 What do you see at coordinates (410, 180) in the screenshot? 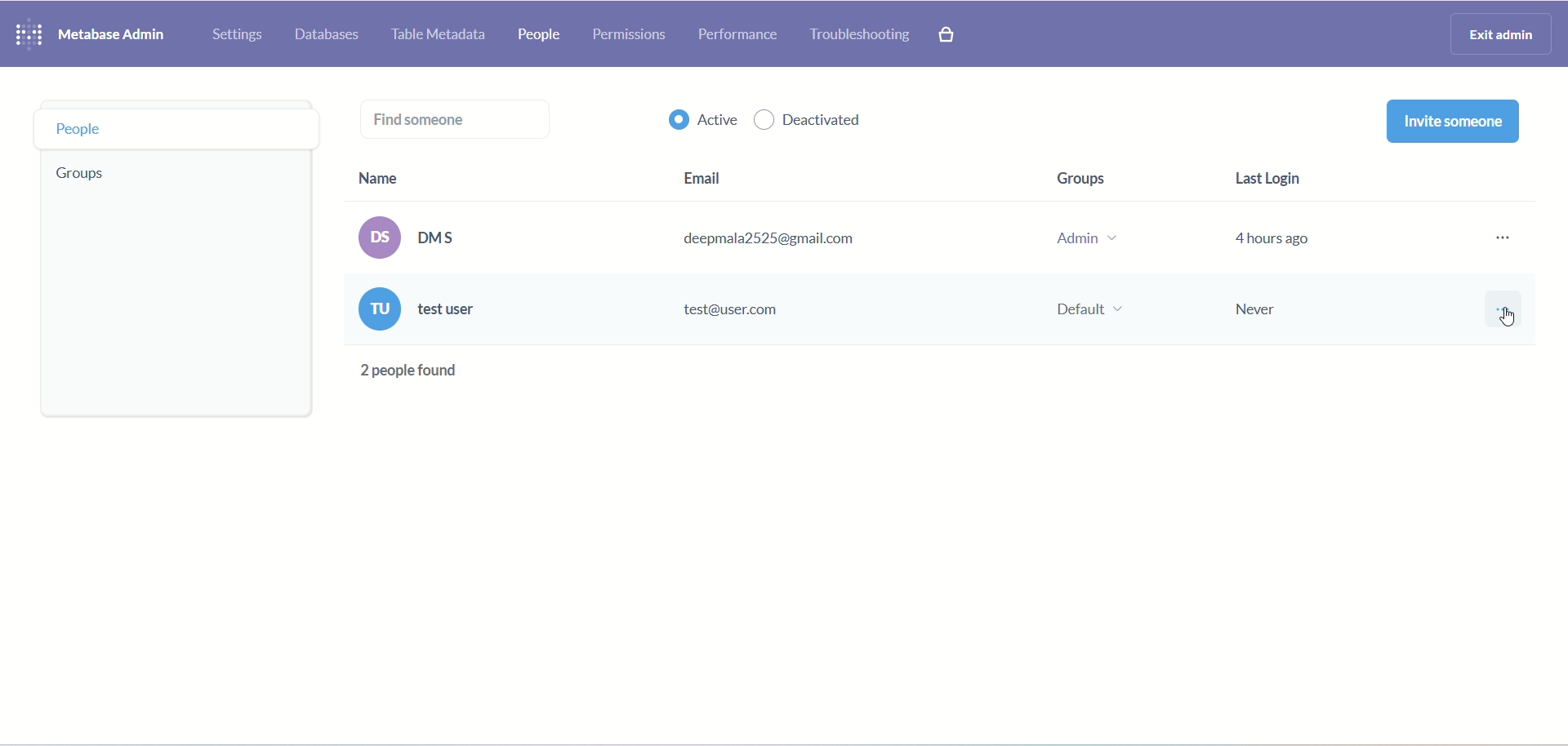
I see `name` at bounding box center [410, 180].